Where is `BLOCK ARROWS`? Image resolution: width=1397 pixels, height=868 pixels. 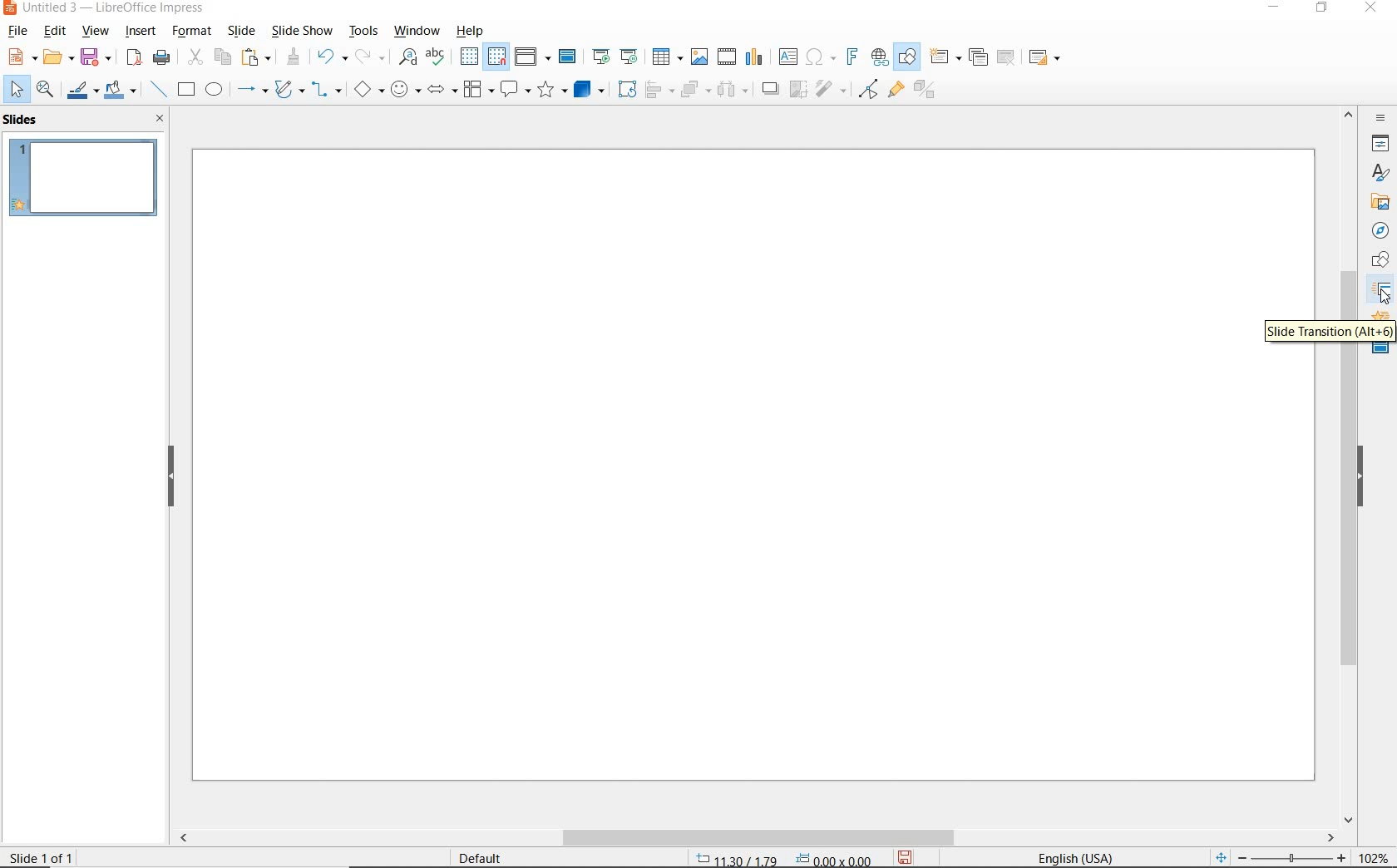
BLOCK ARROWS is located at coordinates (442, 89).